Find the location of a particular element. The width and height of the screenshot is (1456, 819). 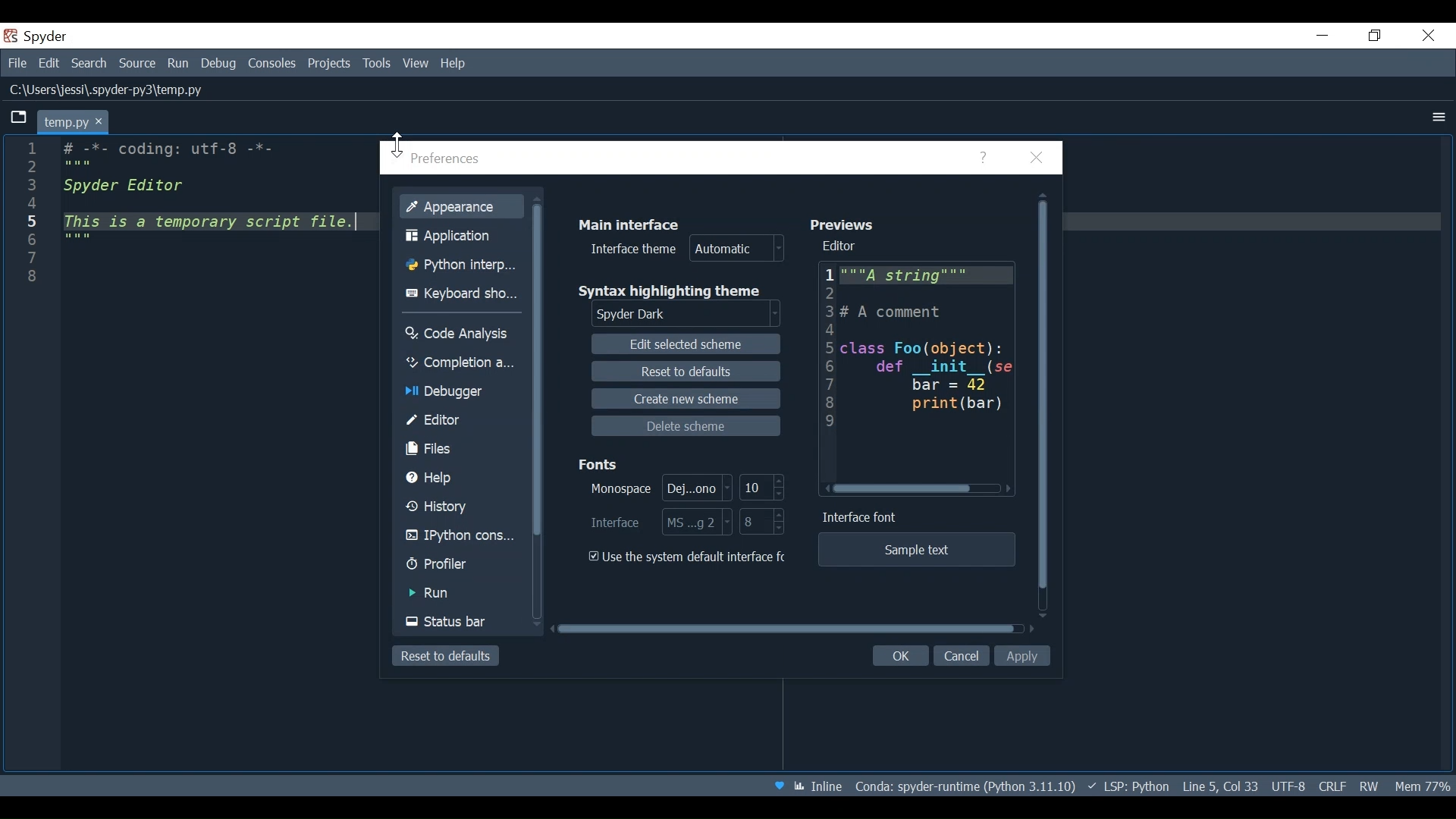

Create new scheme is located at coordinates (686, 399).